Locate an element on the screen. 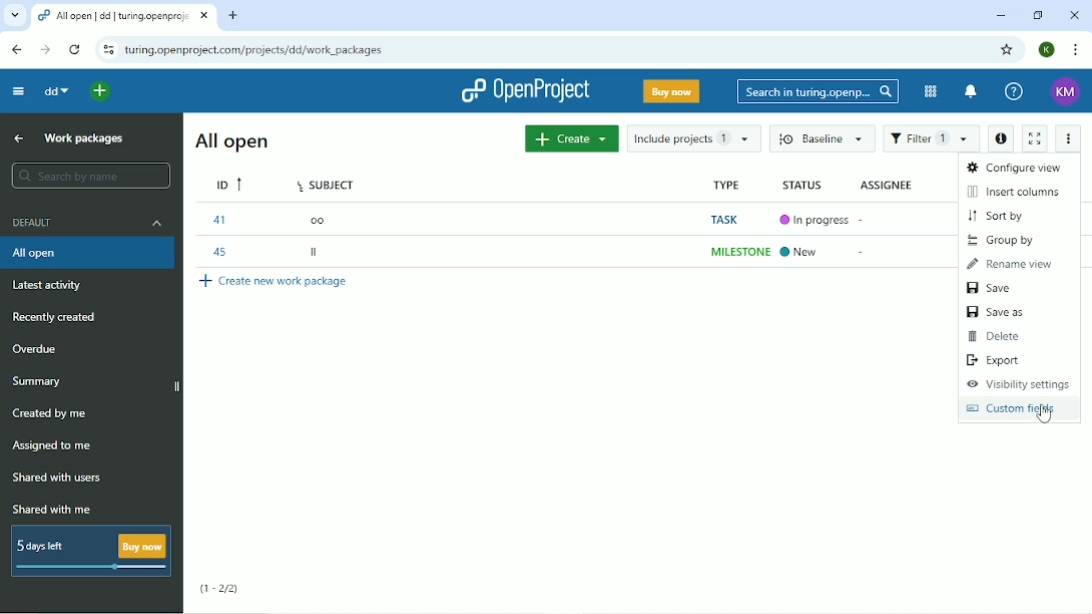 Image resolution: width=1092 pixels, height=614 pixels. Create is located at coordinates (571, 139).